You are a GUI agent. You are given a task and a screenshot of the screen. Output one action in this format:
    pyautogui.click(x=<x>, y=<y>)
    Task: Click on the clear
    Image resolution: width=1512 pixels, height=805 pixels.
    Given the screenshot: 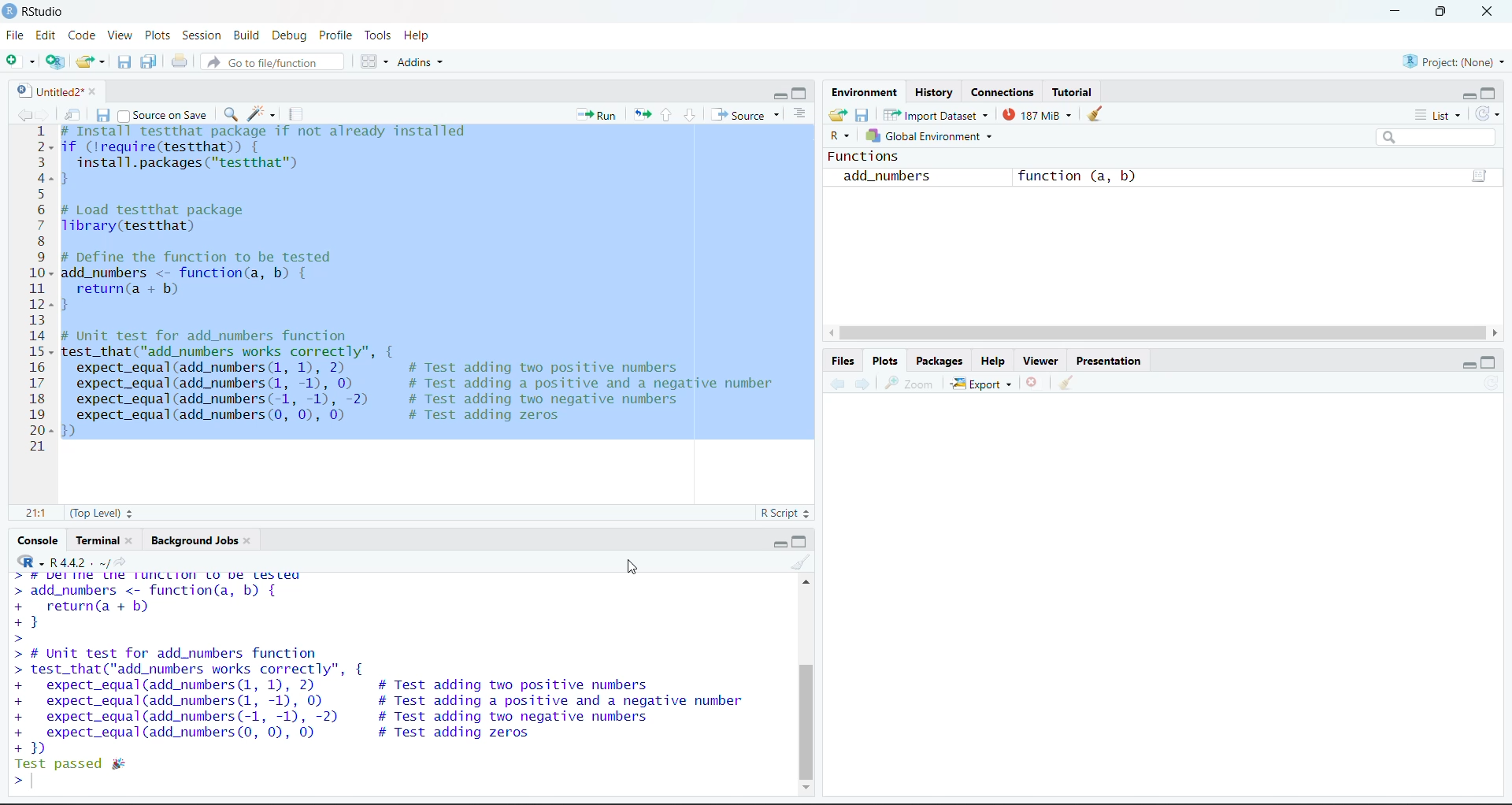 What is the action you would take?
    pyautogui.click(x=1066, y=381)
    